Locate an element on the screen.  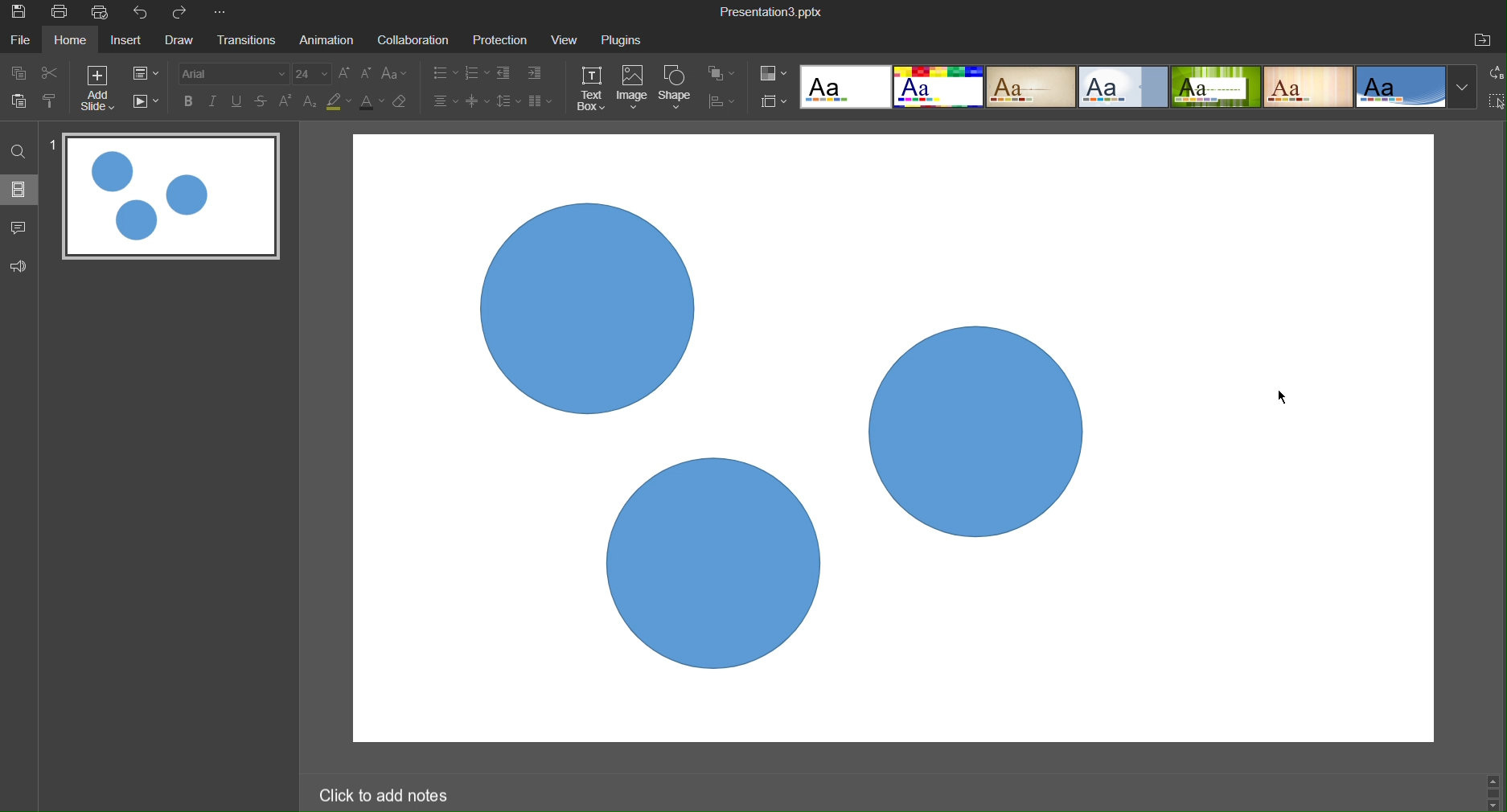
Playback is located at coordinates (148, 104).